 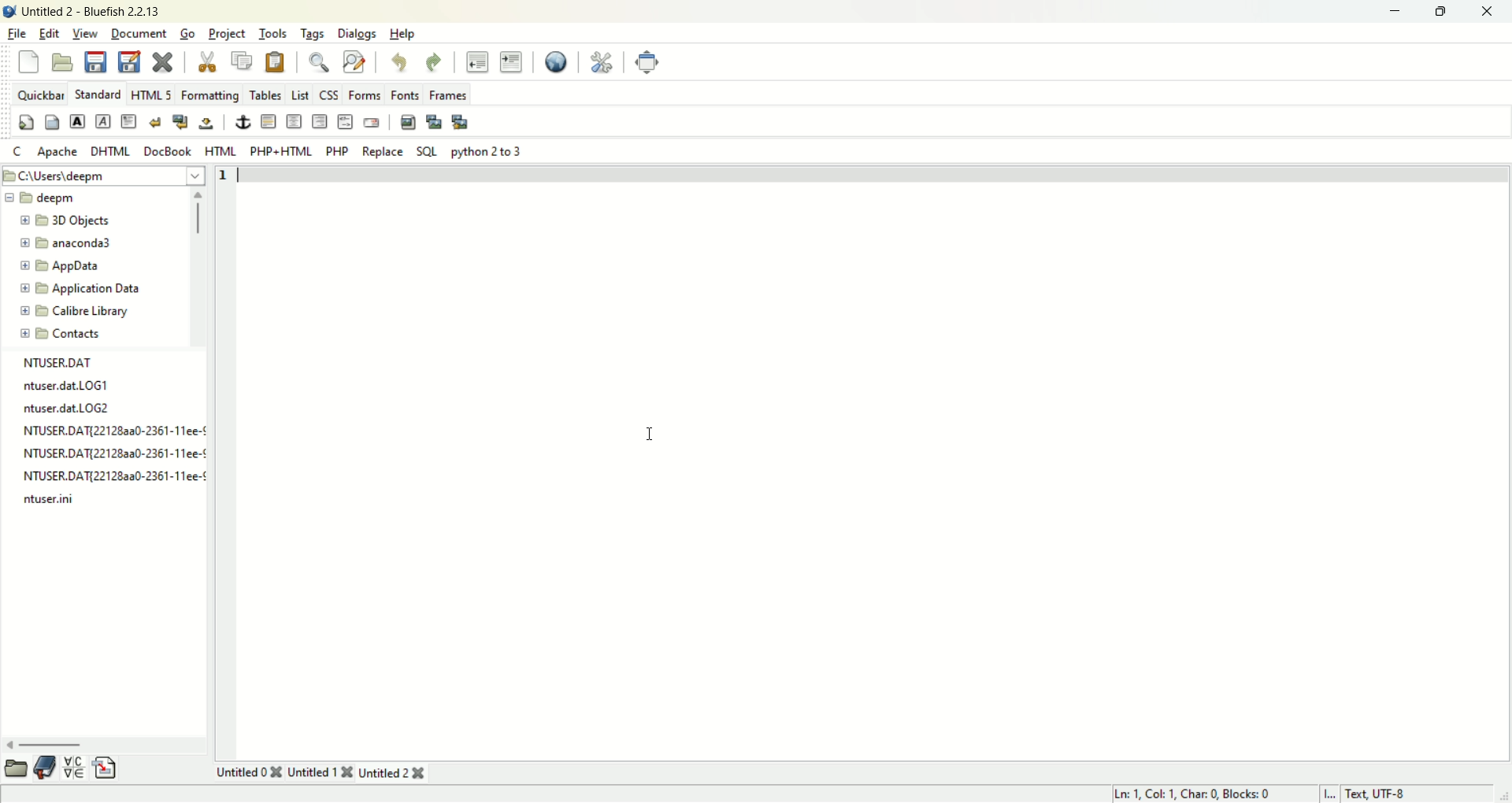 I want to click on fullscreen, so click(x=648, y=61).